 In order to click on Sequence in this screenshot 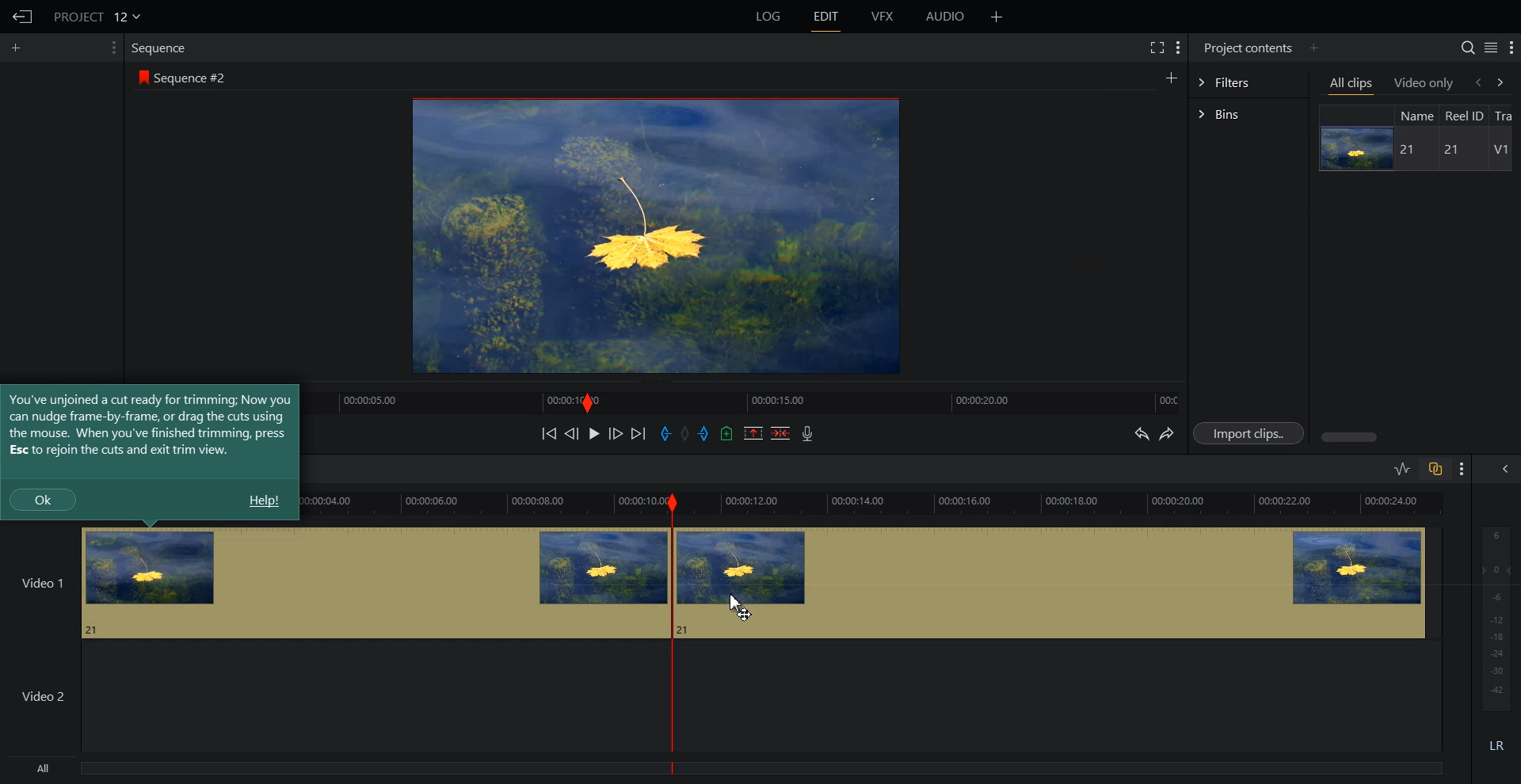, I will do `click(162, 49)`.